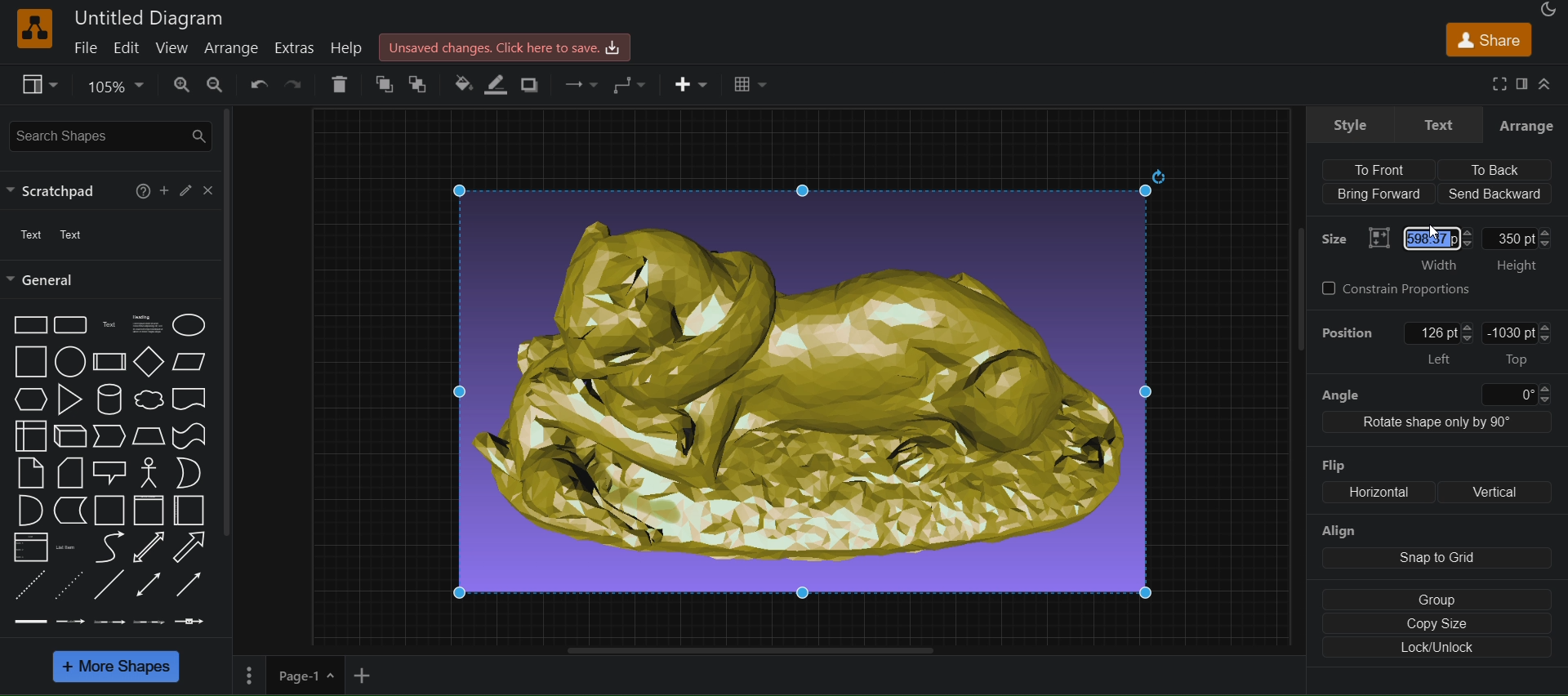 This screenshot has height=696, width=1568. What do you see at coordinates (1443, 344) in the screenshot?
I see `position: left: 126 pt` at bounding box center [1443, 344].